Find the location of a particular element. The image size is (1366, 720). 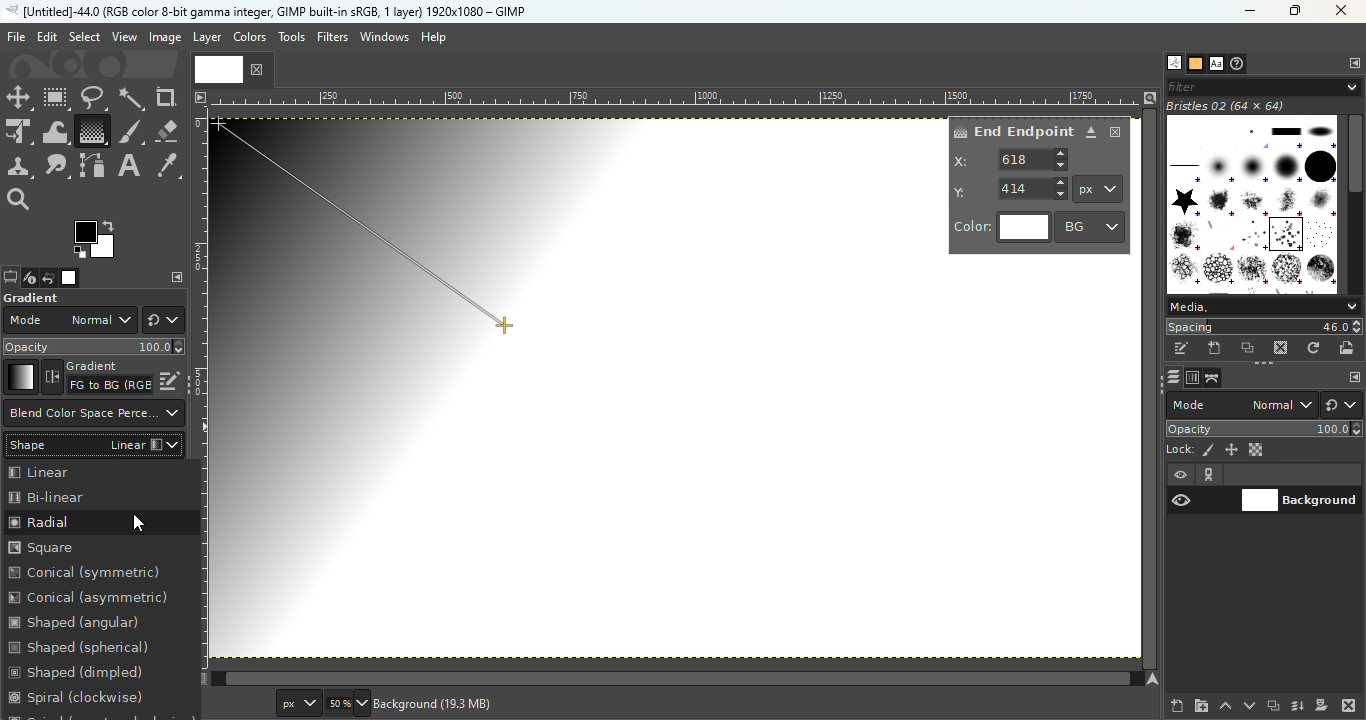

Crop tool is located at coordinates (166, 97).